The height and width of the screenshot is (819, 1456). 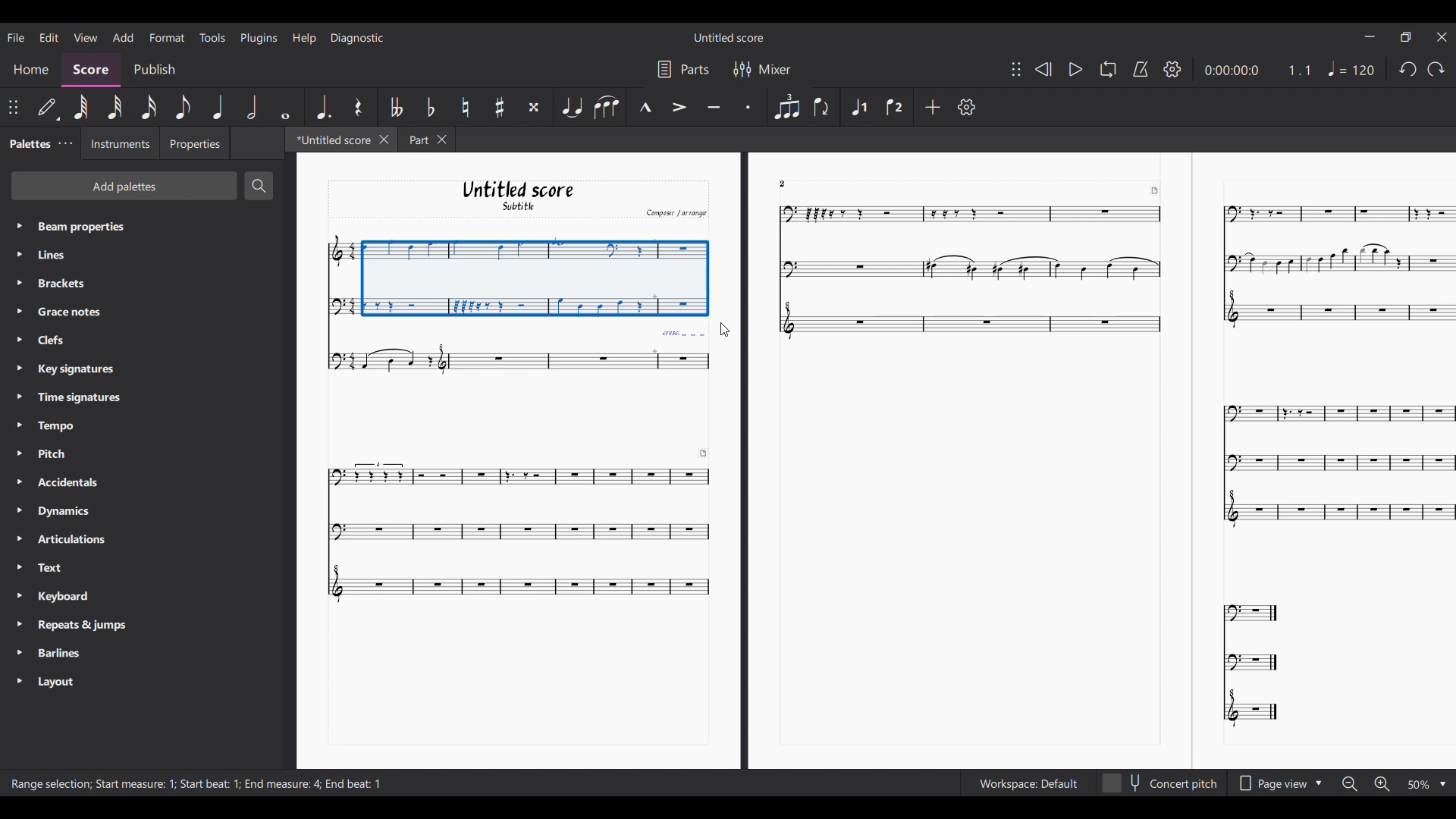 What do you see at coordinates (73, 598) in the screenshot?
I see `Keyboard` at bounding box center [73, 598].